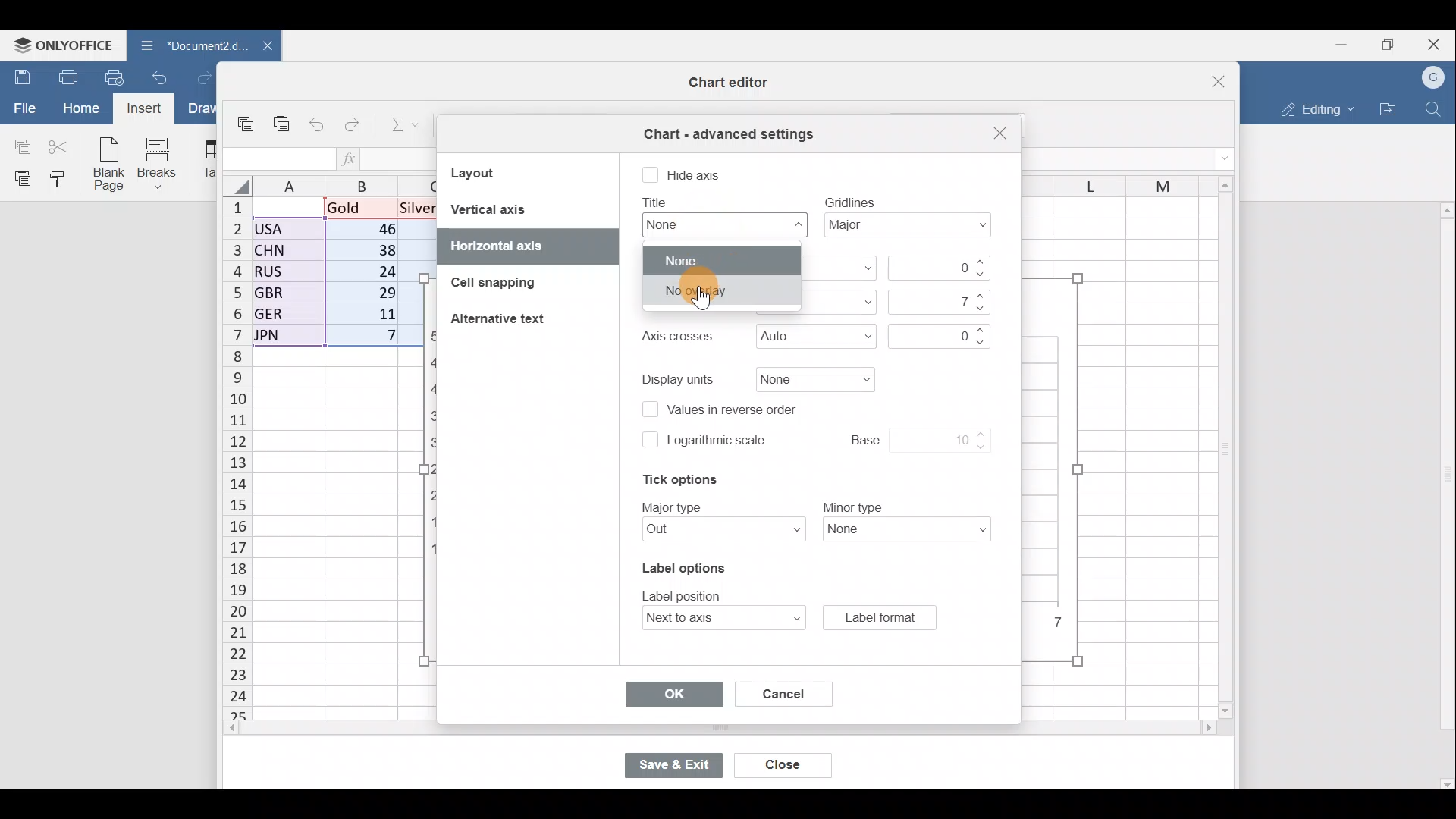 This screenshot has width=1456, height=819. What do you see at coordinates (1434, 109) in the screenshot?
I see `Find` at bounding box center [1434, 109].